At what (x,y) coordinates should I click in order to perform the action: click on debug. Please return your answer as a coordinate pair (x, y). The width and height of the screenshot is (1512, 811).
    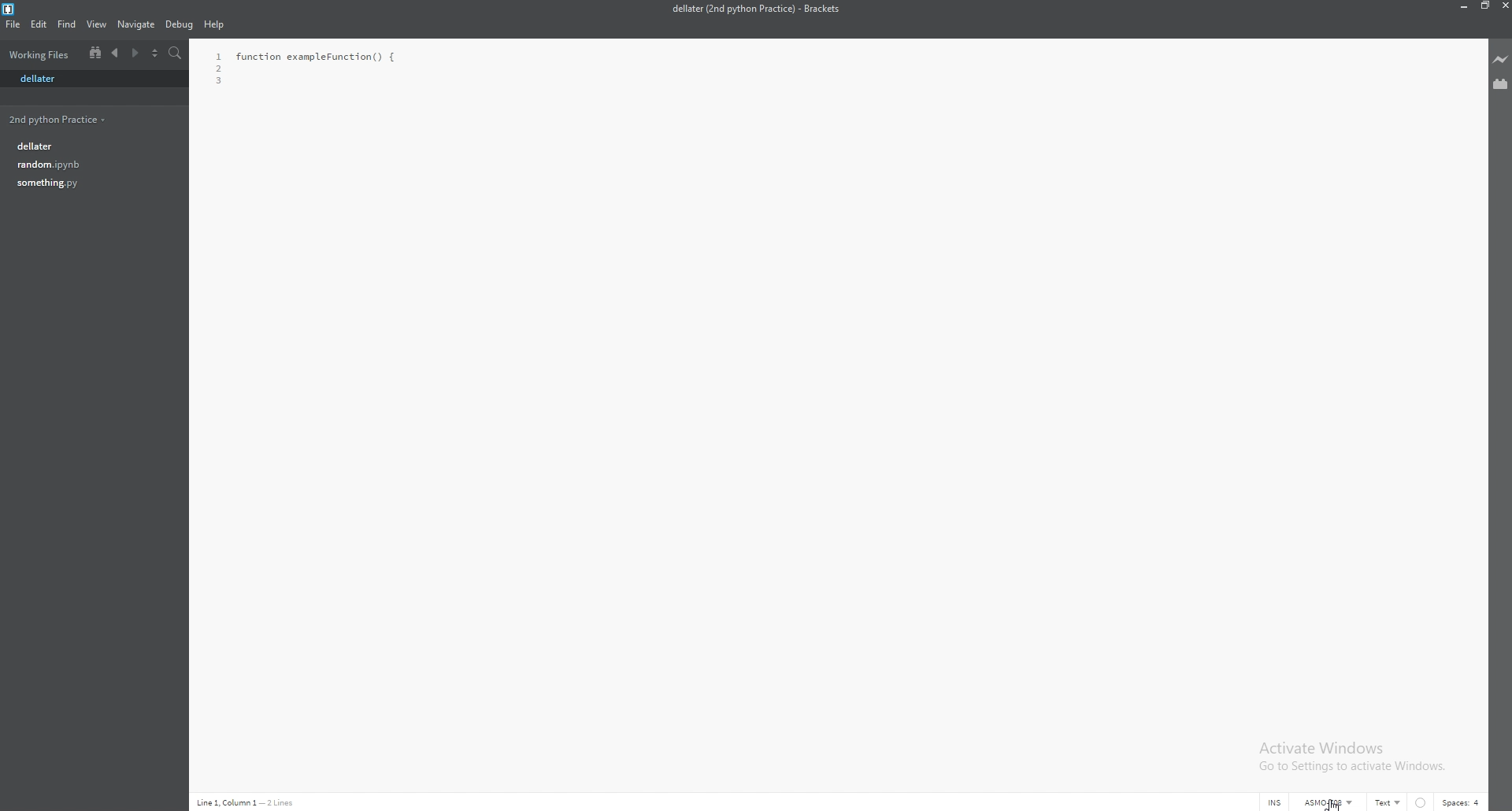
    Looking at the image, I should click on (180, 25).